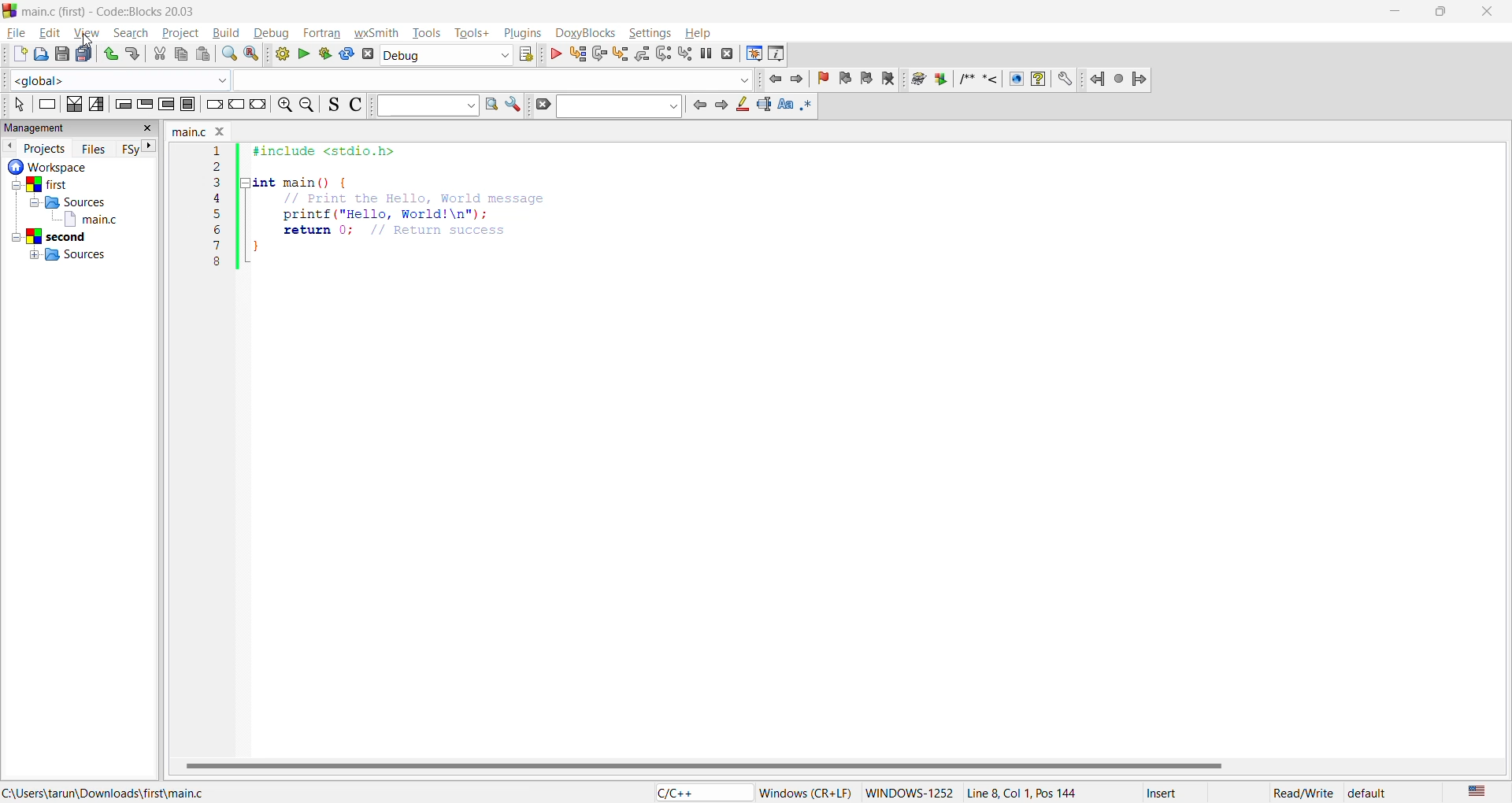  Describe the element at coordinates (554, 54) in the screenshot. I see `debug/continue` at that location.